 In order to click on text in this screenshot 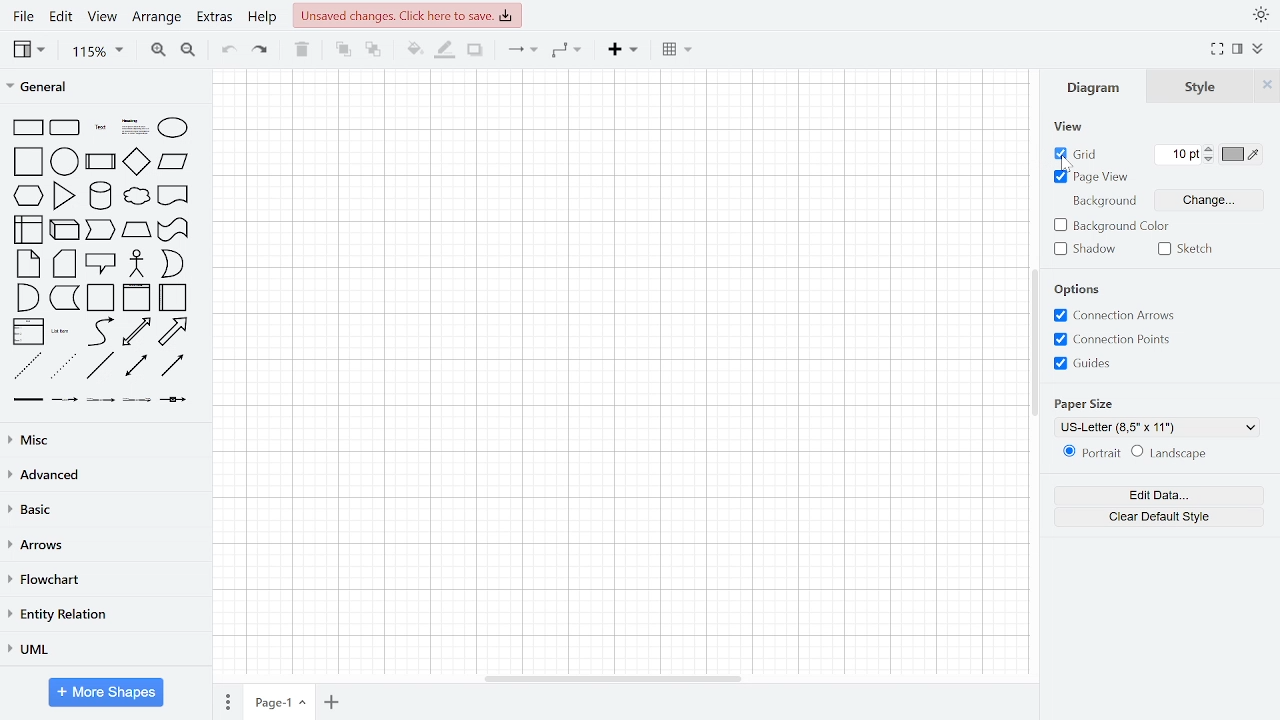, I will do `click(99, 126)`.